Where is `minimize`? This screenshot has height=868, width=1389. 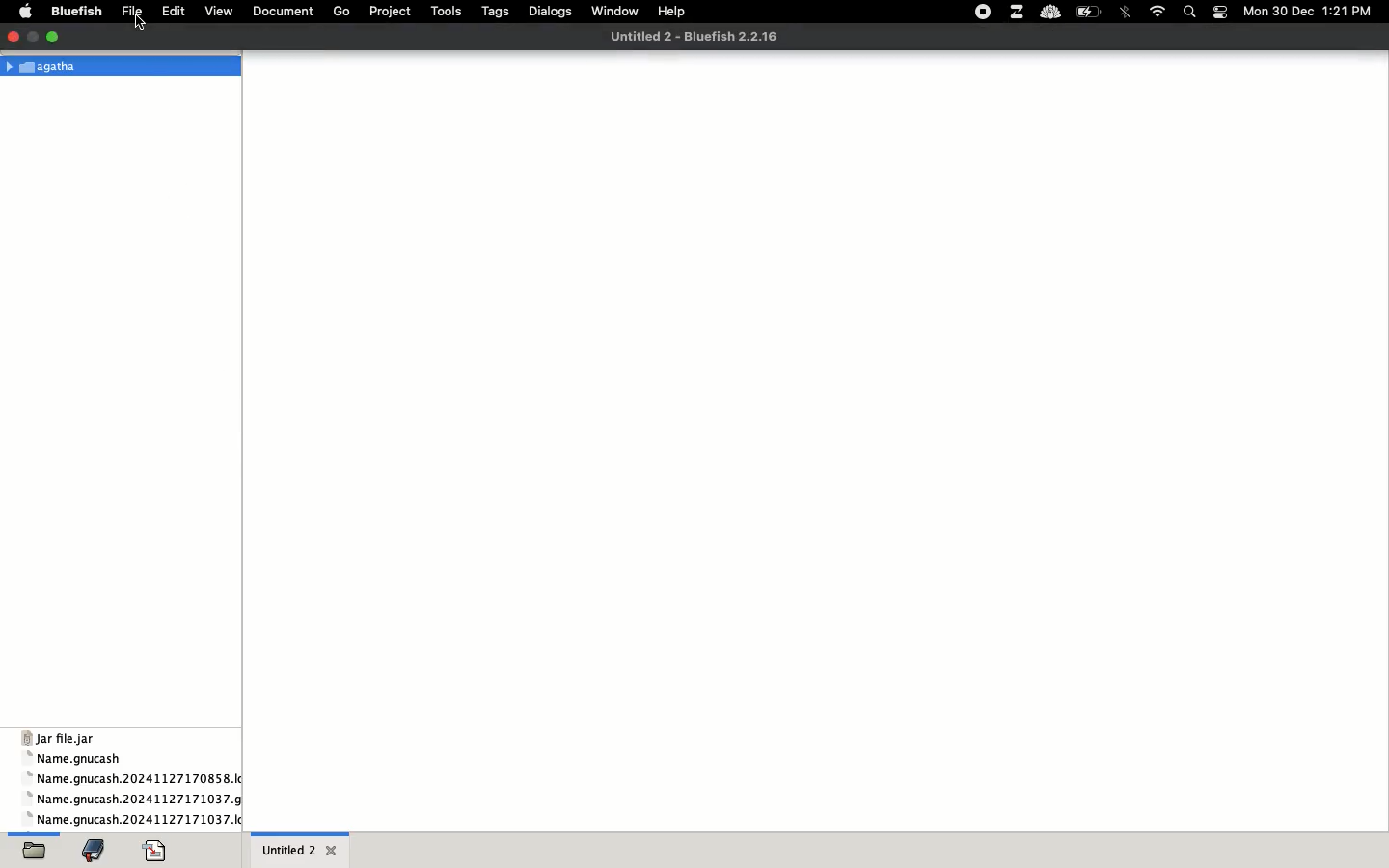
minimize is located at coordinates (54, 38).